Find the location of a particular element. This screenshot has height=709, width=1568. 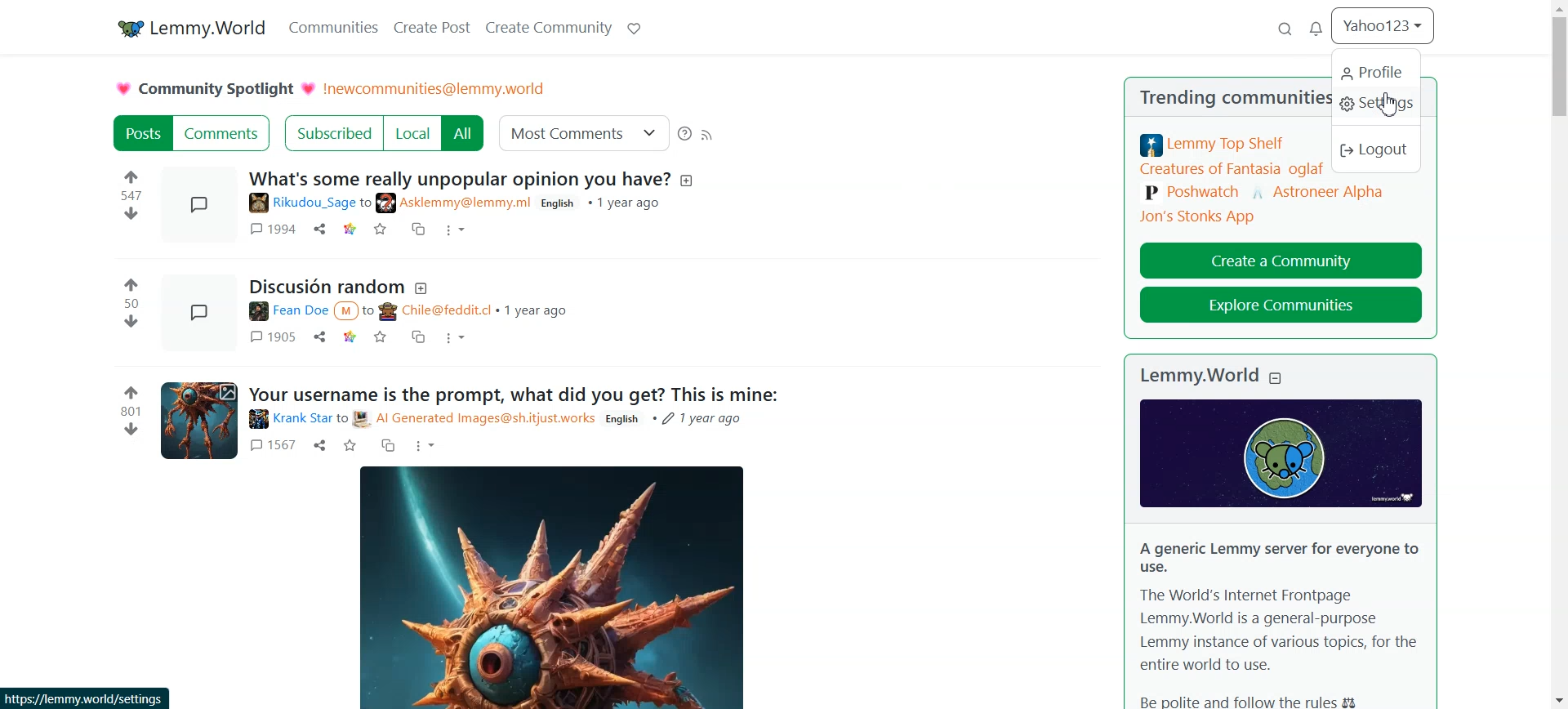

!newcommunities@lemmy.world is located at coordinates (437, 89).